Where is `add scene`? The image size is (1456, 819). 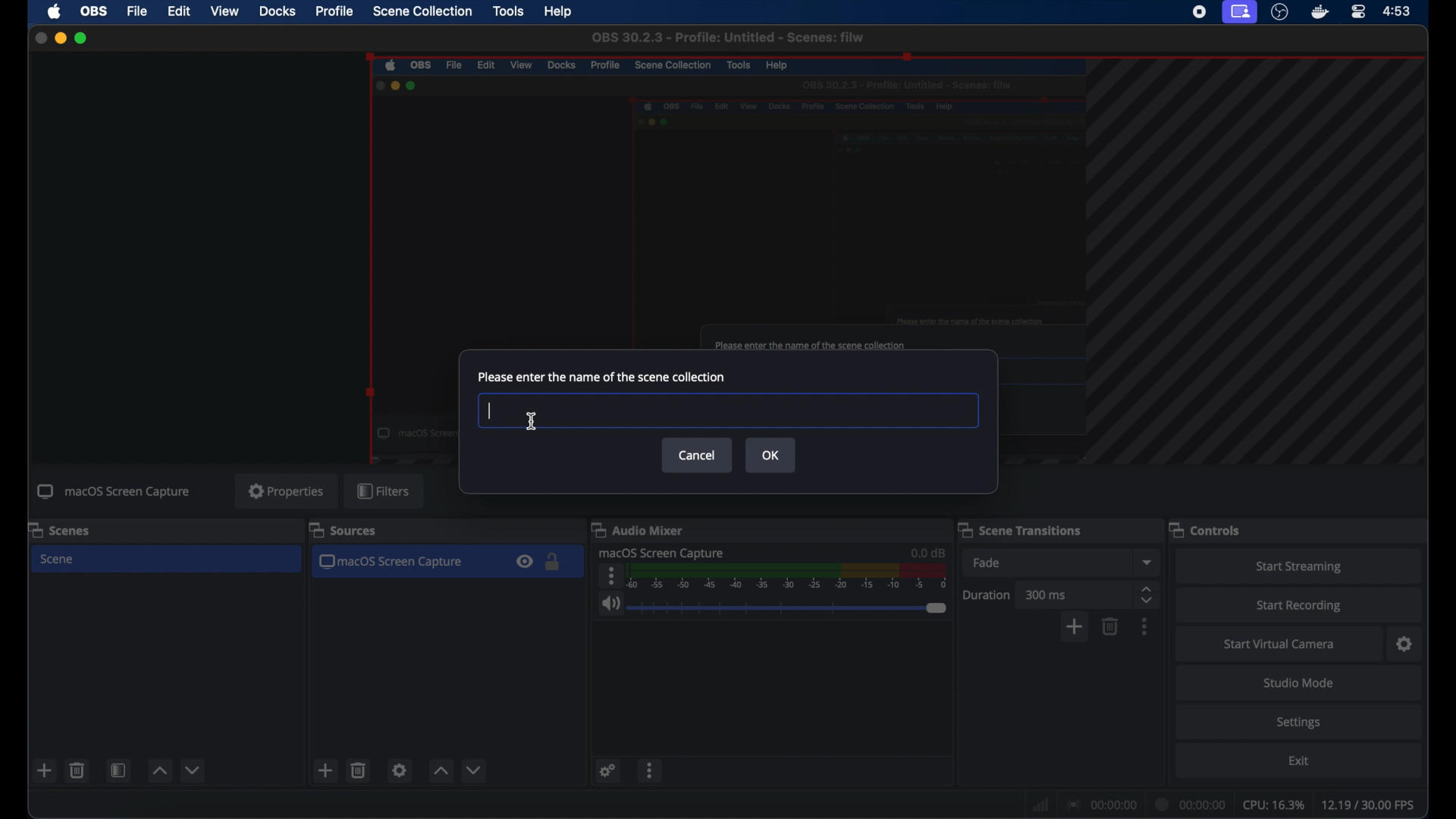 add scene is located at coordinates (325, 770).